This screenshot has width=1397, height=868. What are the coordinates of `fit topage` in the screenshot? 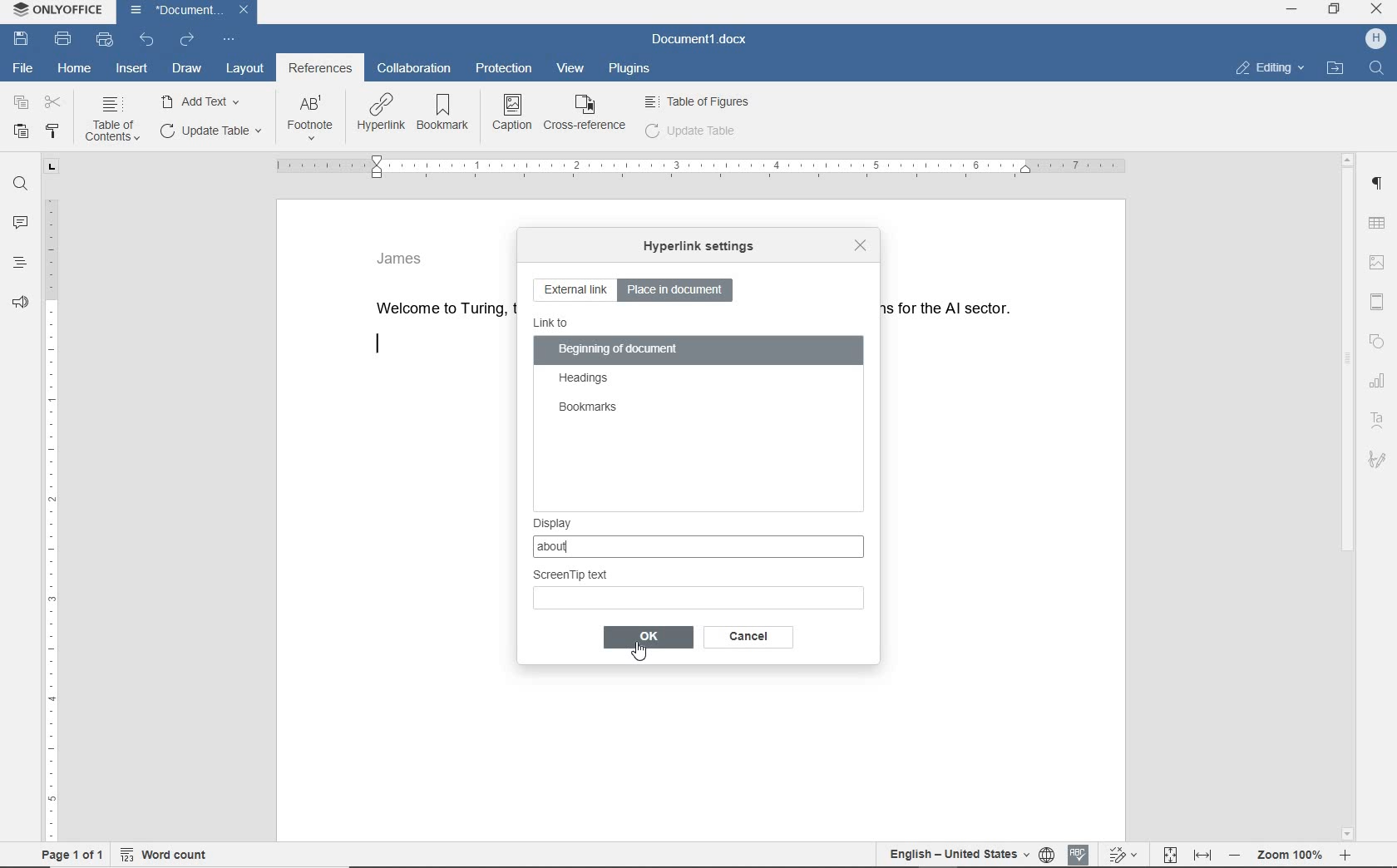 It's located at (1169, 855).